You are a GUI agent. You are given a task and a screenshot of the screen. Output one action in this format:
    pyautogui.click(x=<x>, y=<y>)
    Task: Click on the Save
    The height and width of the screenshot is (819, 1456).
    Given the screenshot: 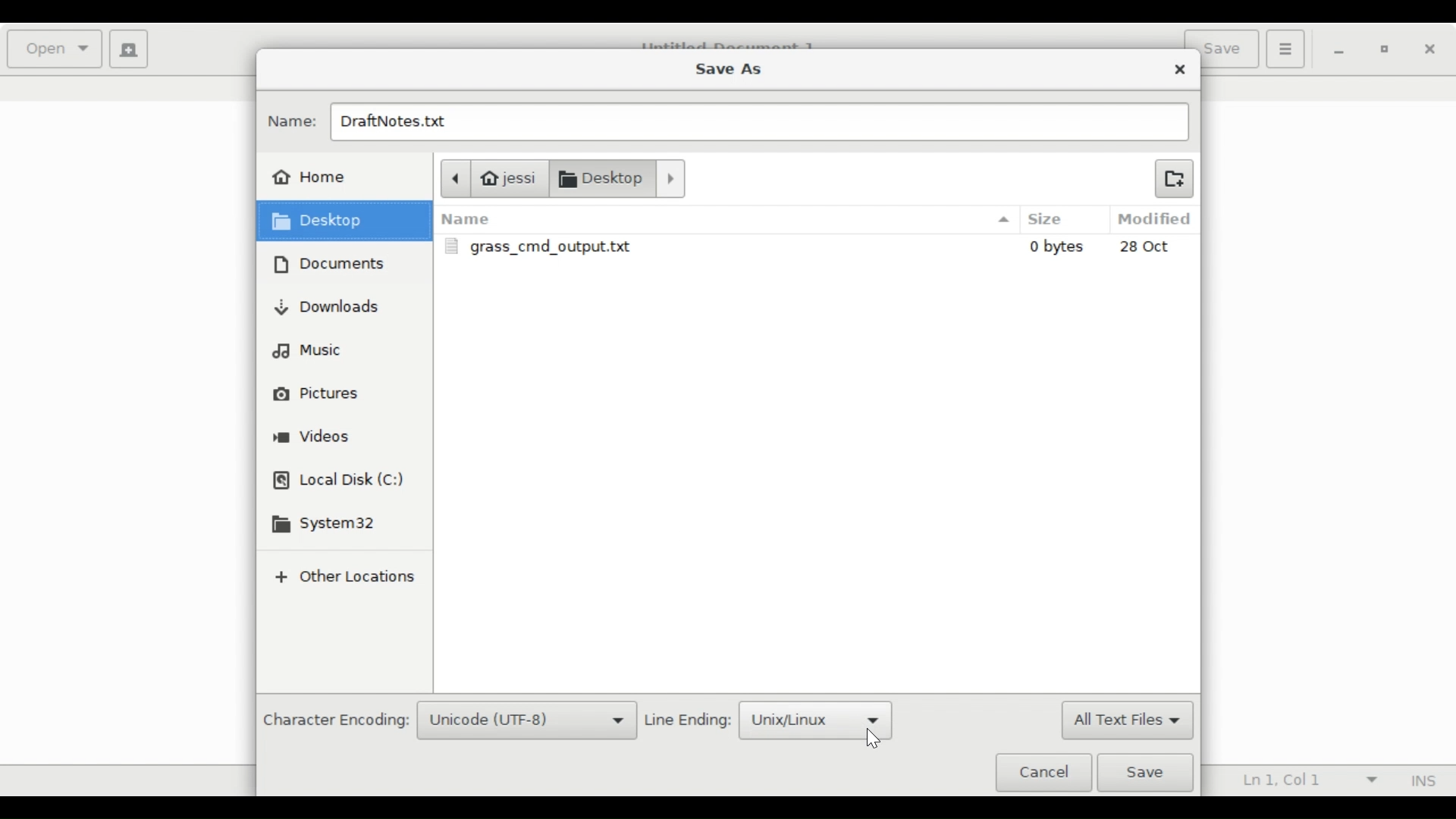 What is the action you would take?
    pyautogui.click(x=1150, y=773)
    